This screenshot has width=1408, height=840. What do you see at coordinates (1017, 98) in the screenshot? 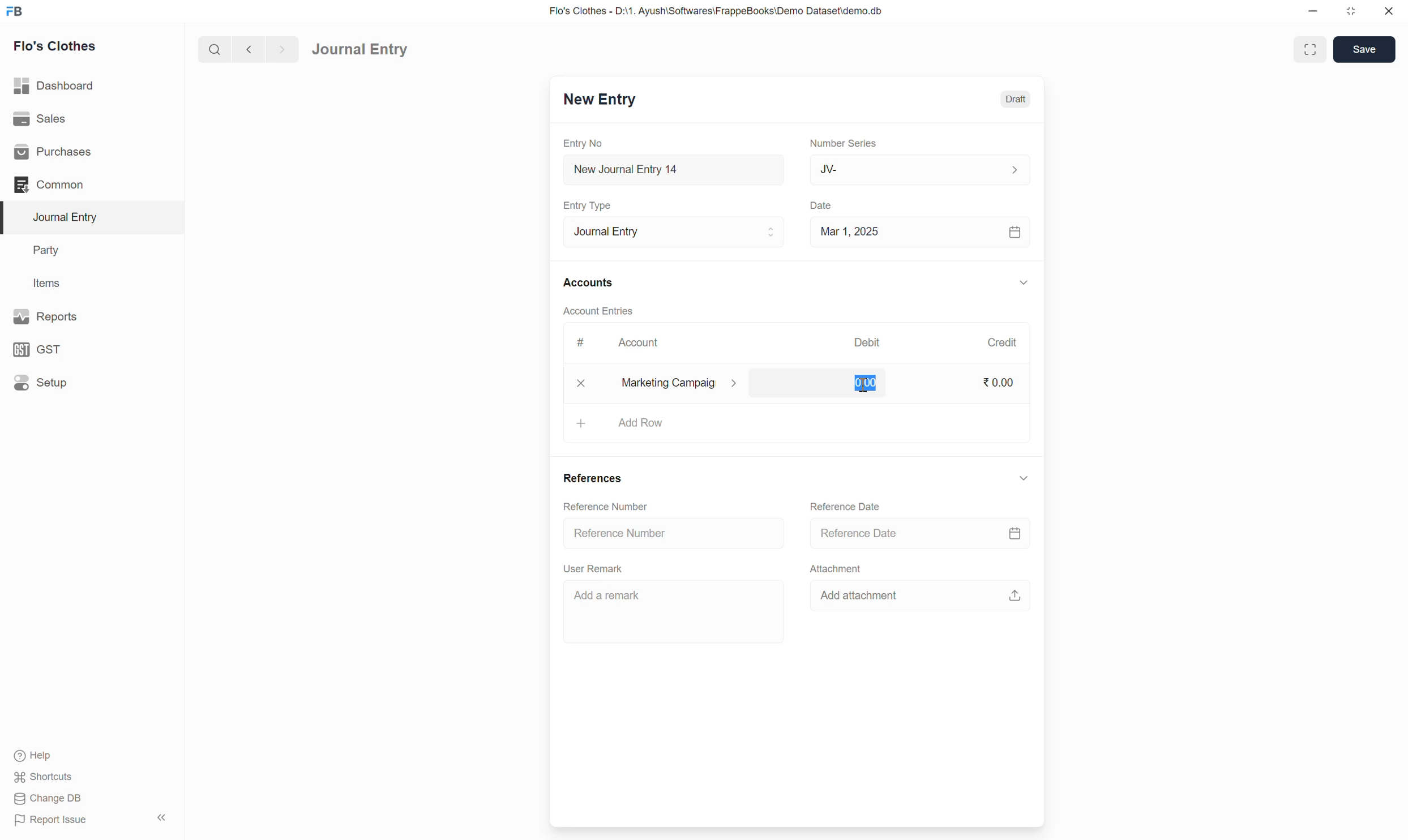
I see `Draft` at bounding box center [1017, 98].